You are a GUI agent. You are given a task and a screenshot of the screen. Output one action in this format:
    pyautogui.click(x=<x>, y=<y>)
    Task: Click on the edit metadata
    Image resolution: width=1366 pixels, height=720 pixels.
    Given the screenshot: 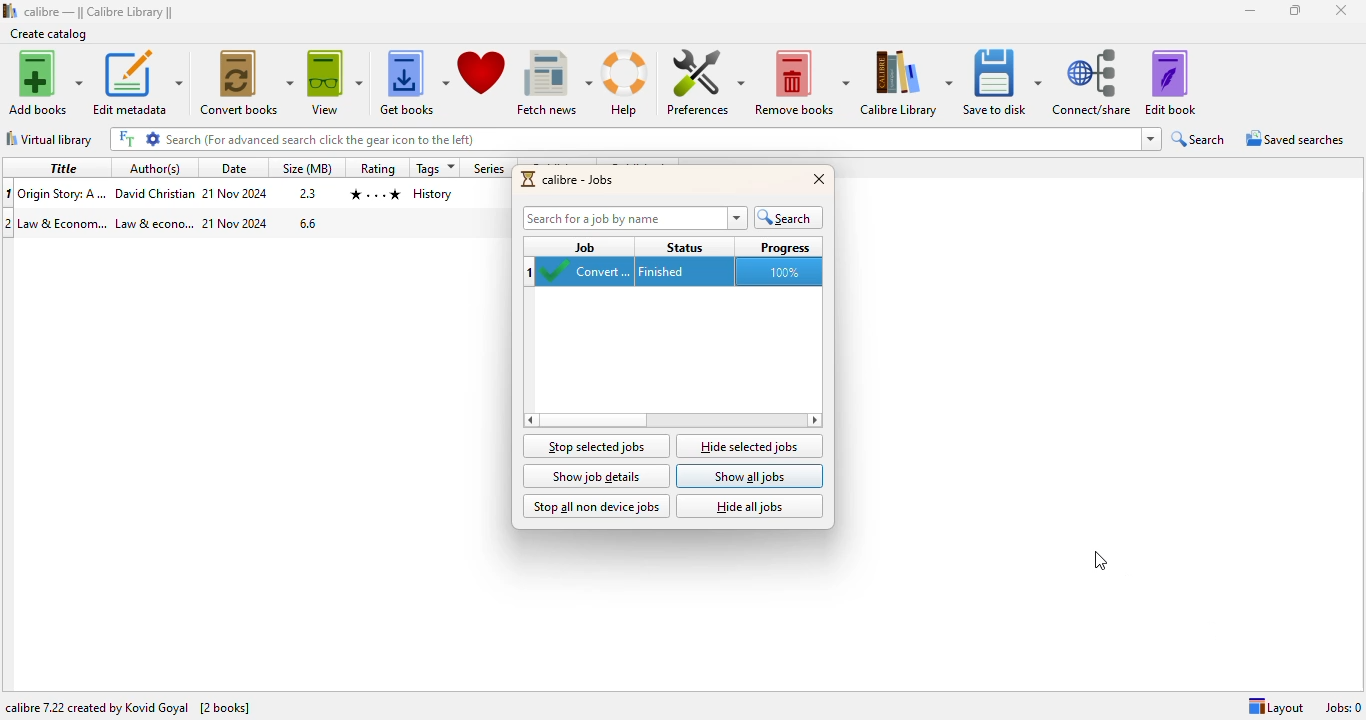 What is the action you would take?
    pyautogui.click(x=138, y=83)
    